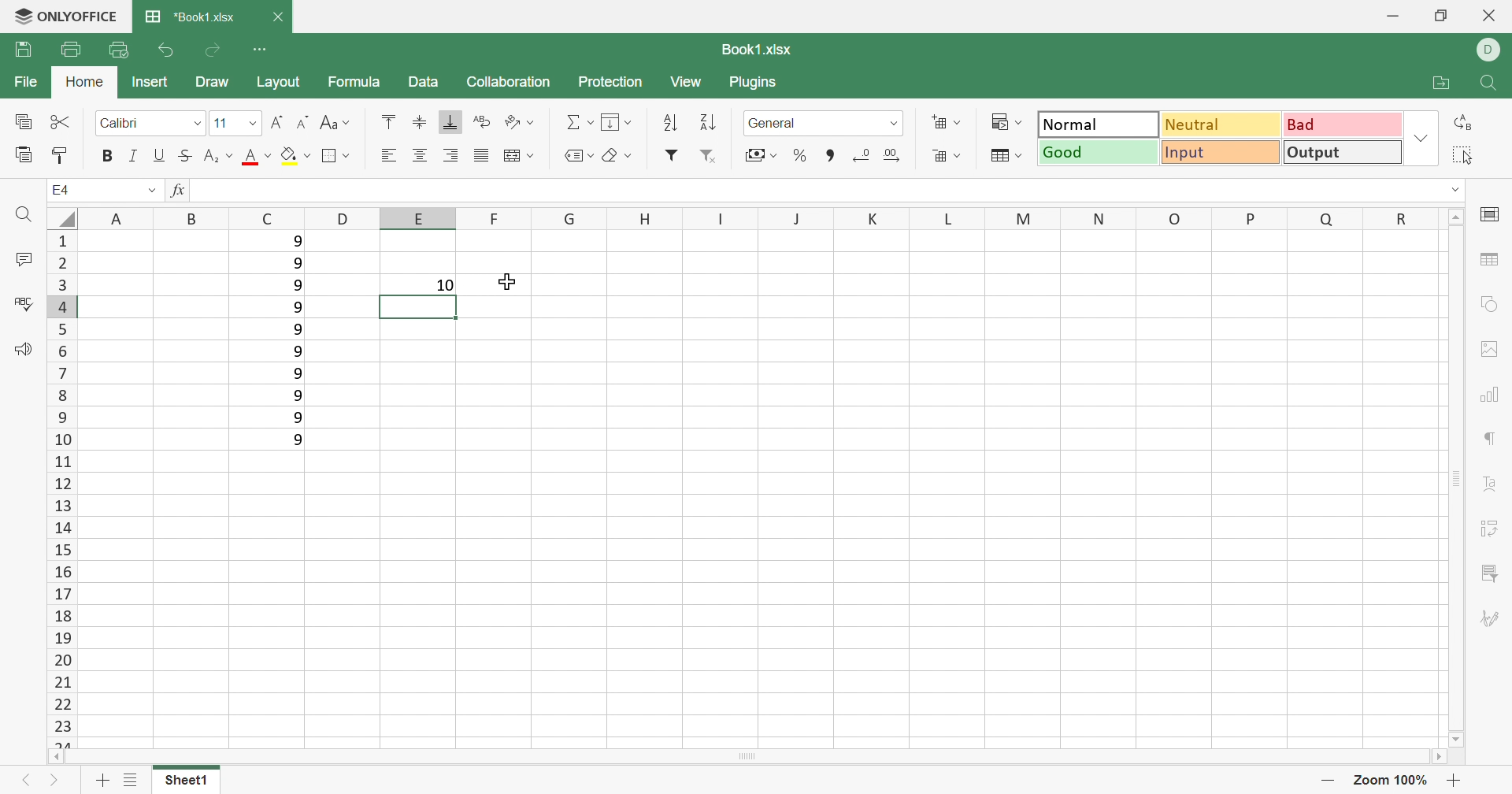  Describe the element at coordinates (579, 123) in the screenshot. I see `Summation` at that location.